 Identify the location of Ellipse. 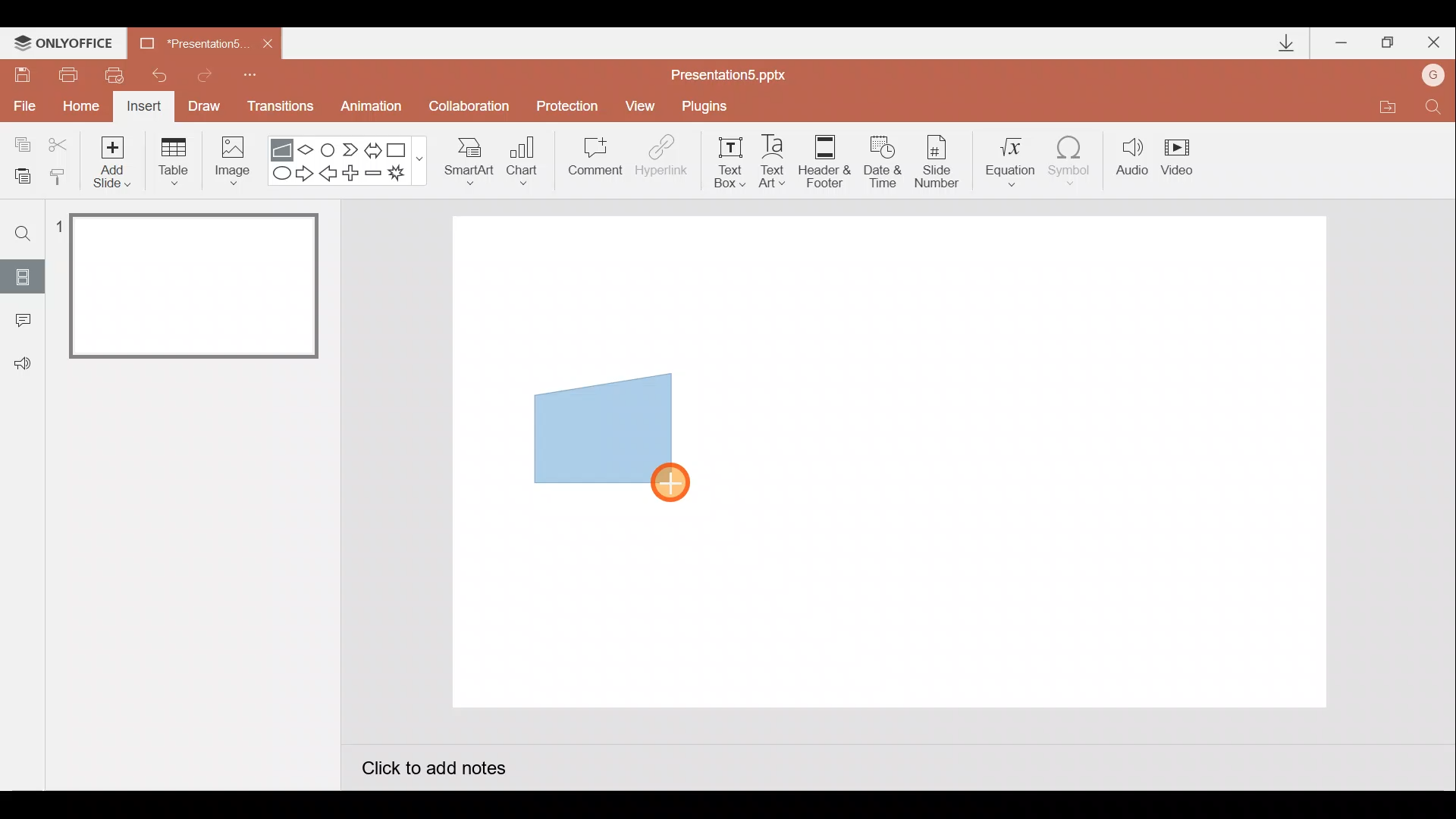
(278, 174).